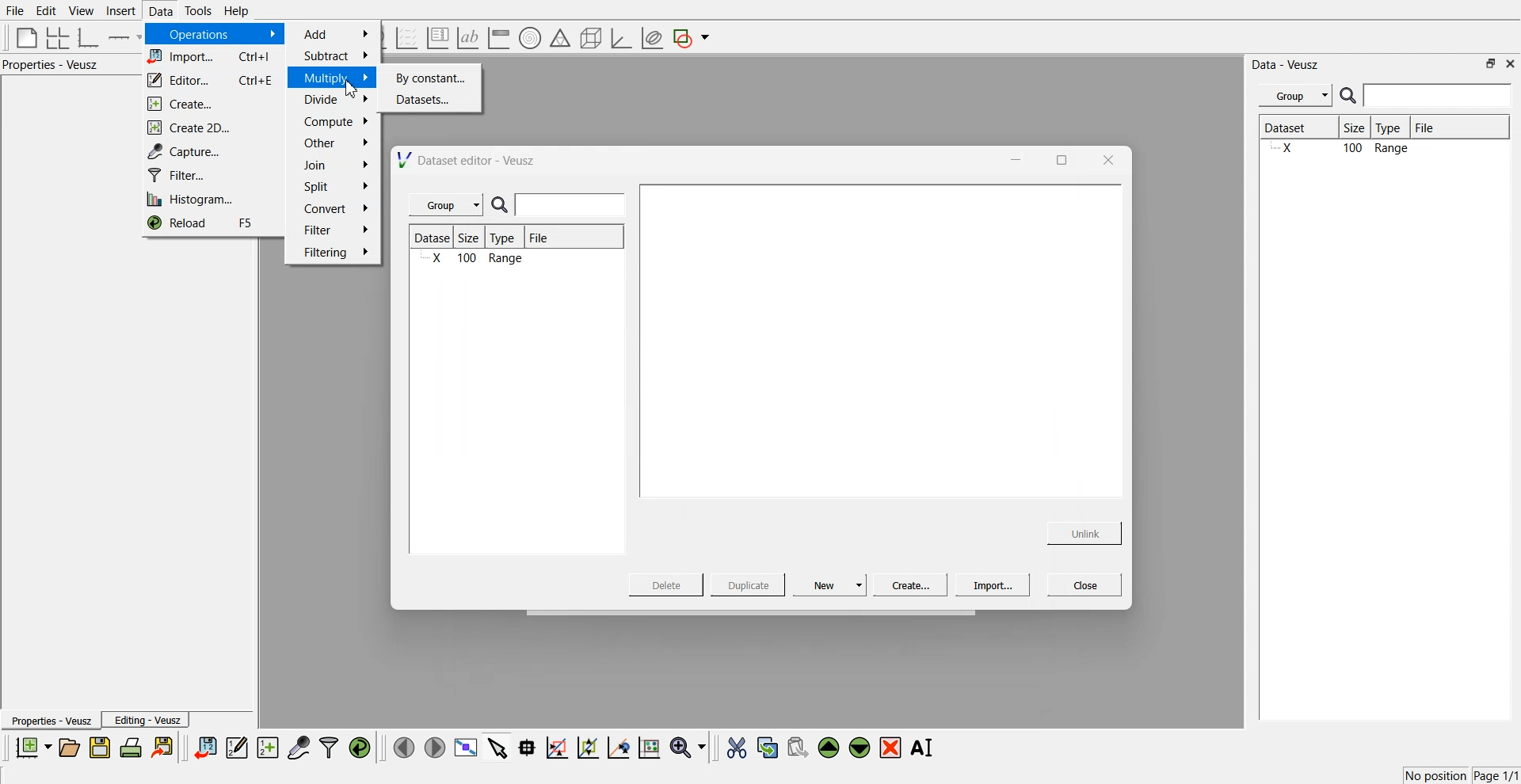 The image size is (1521, 784). I want to click on polar graph, so click(529, 40).